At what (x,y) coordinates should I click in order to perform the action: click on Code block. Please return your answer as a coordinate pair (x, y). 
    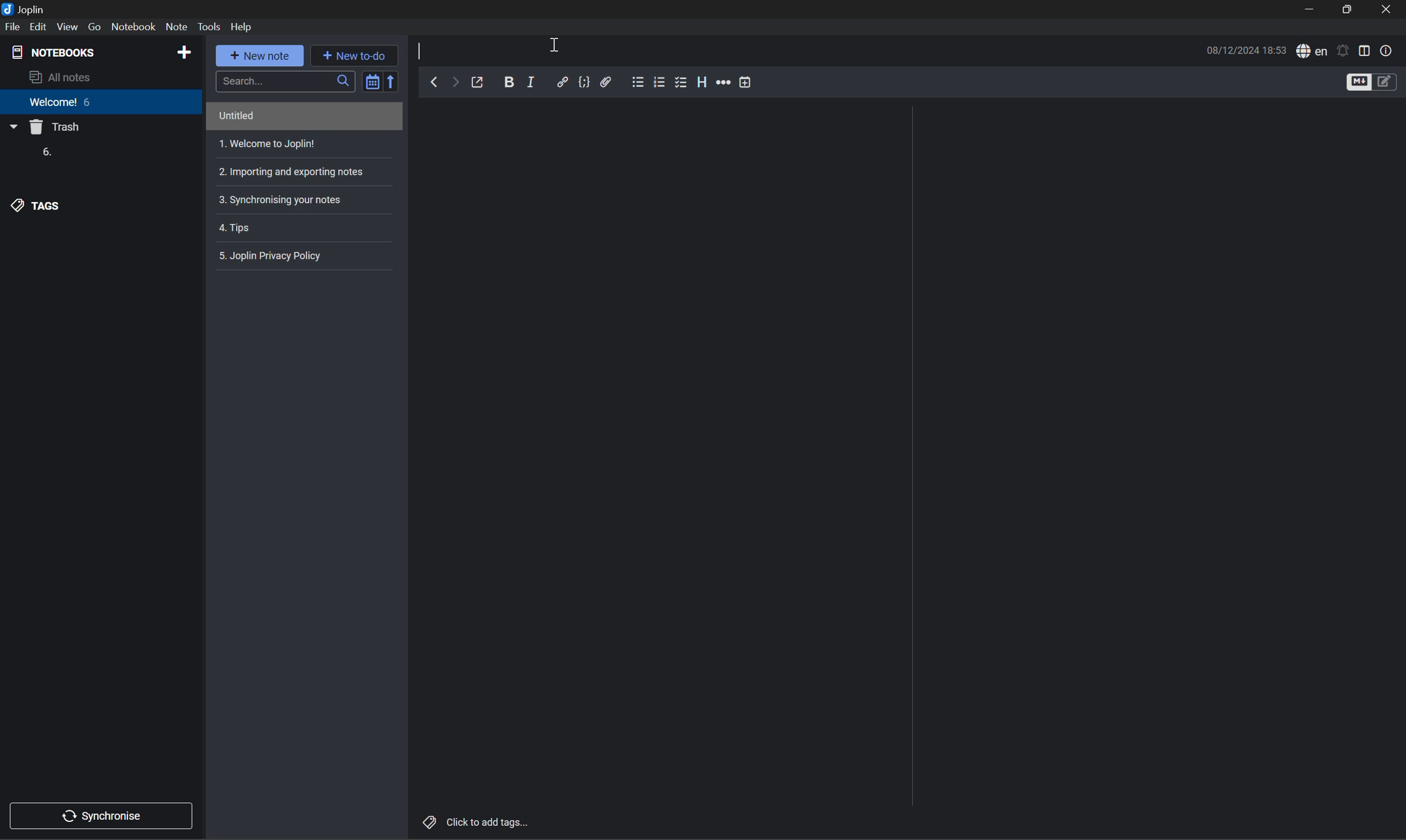
    Looking at the image, I should click on (584, 82).